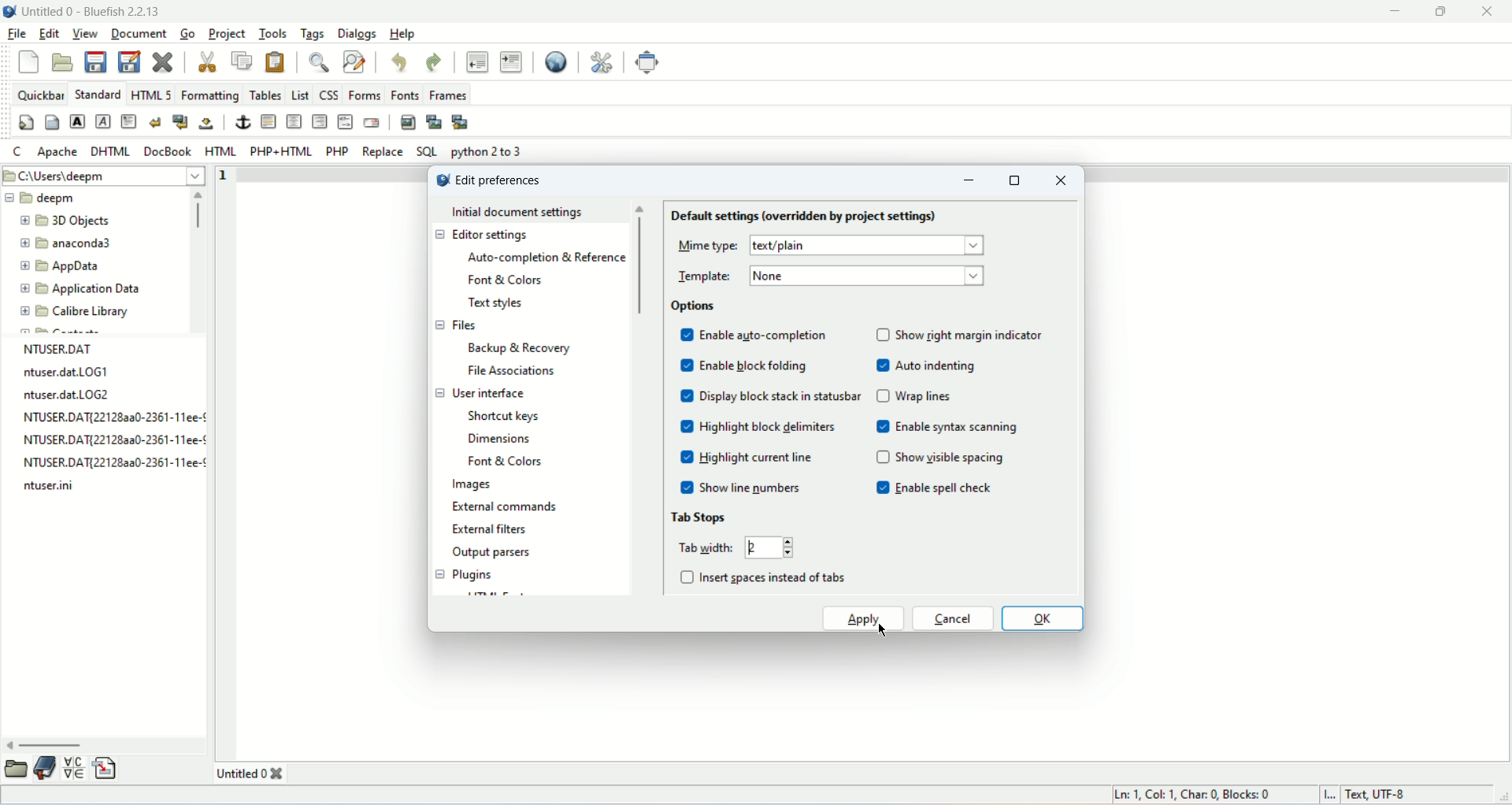 Image resolution: width=1512 pixels, height=805 pixels. Describe the element at coordinates (1443, 12) in the screenshot. I see `maximize` at that location.